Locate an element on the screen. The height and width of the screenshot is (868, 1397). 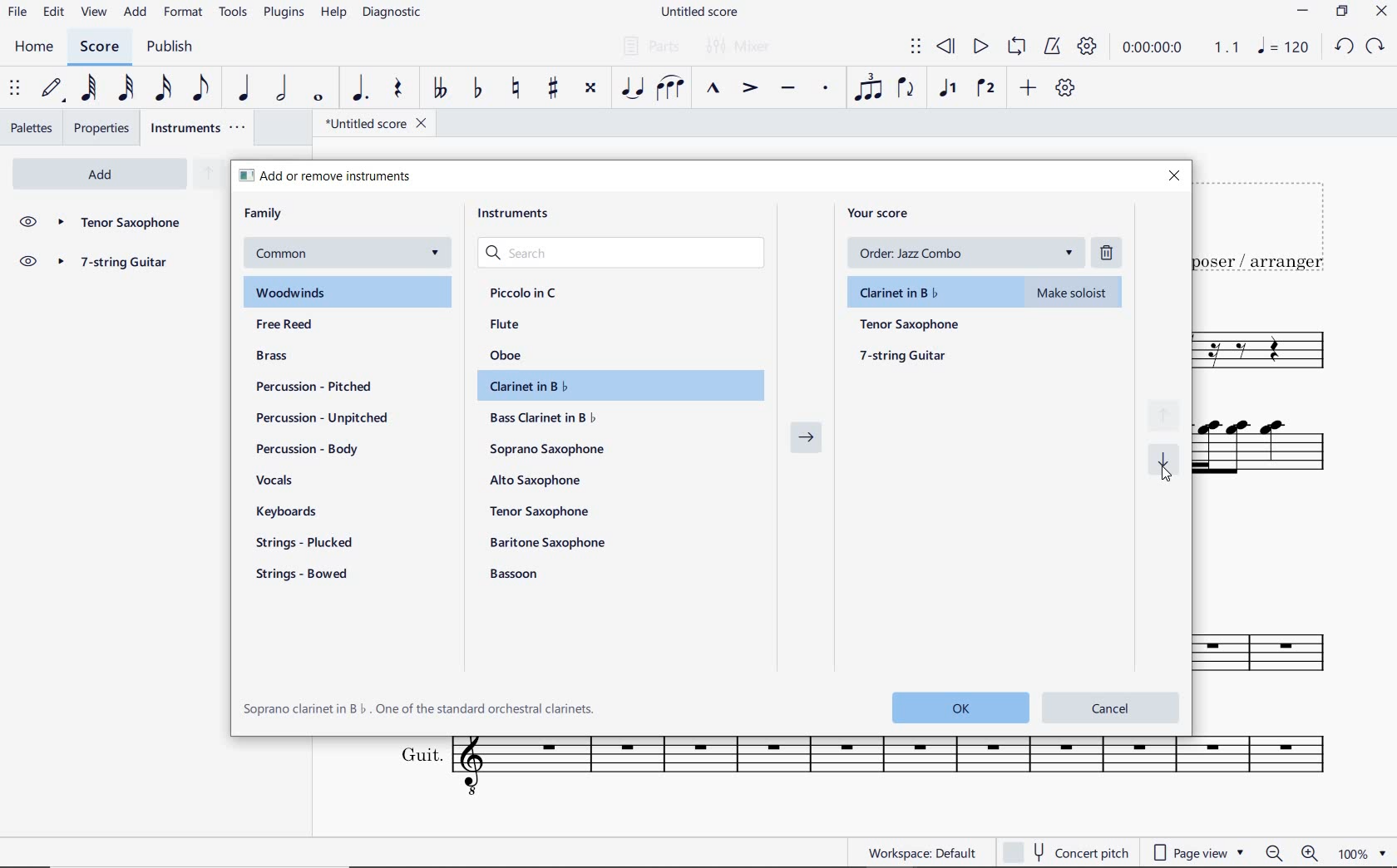
QUARTER NOTE is located at coordinates (245, 88).